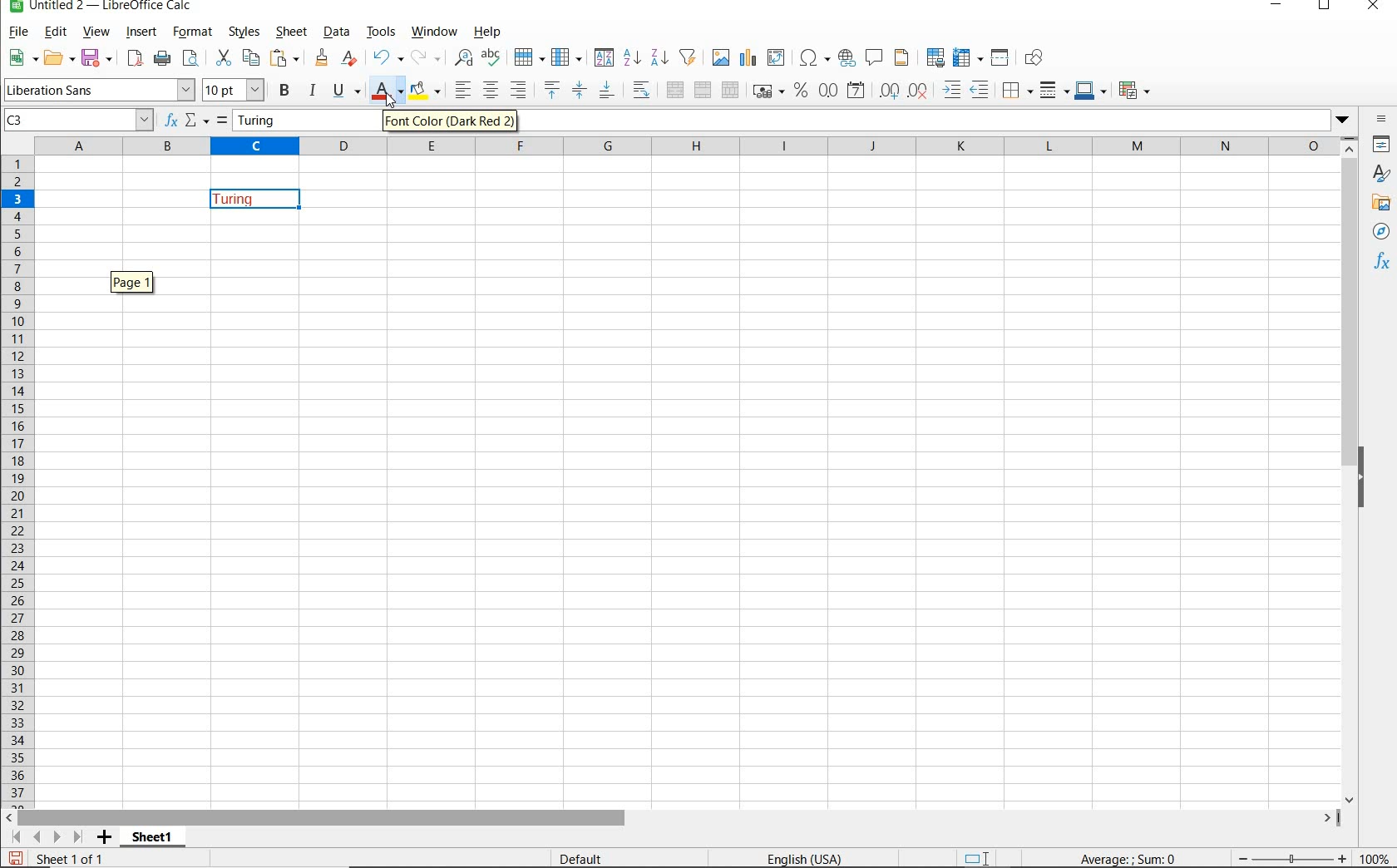  What do you see at coordinates (802, 91) in the screenshot?
I see `FORMAT AS PERCENT` at bounding box center [802, 91].